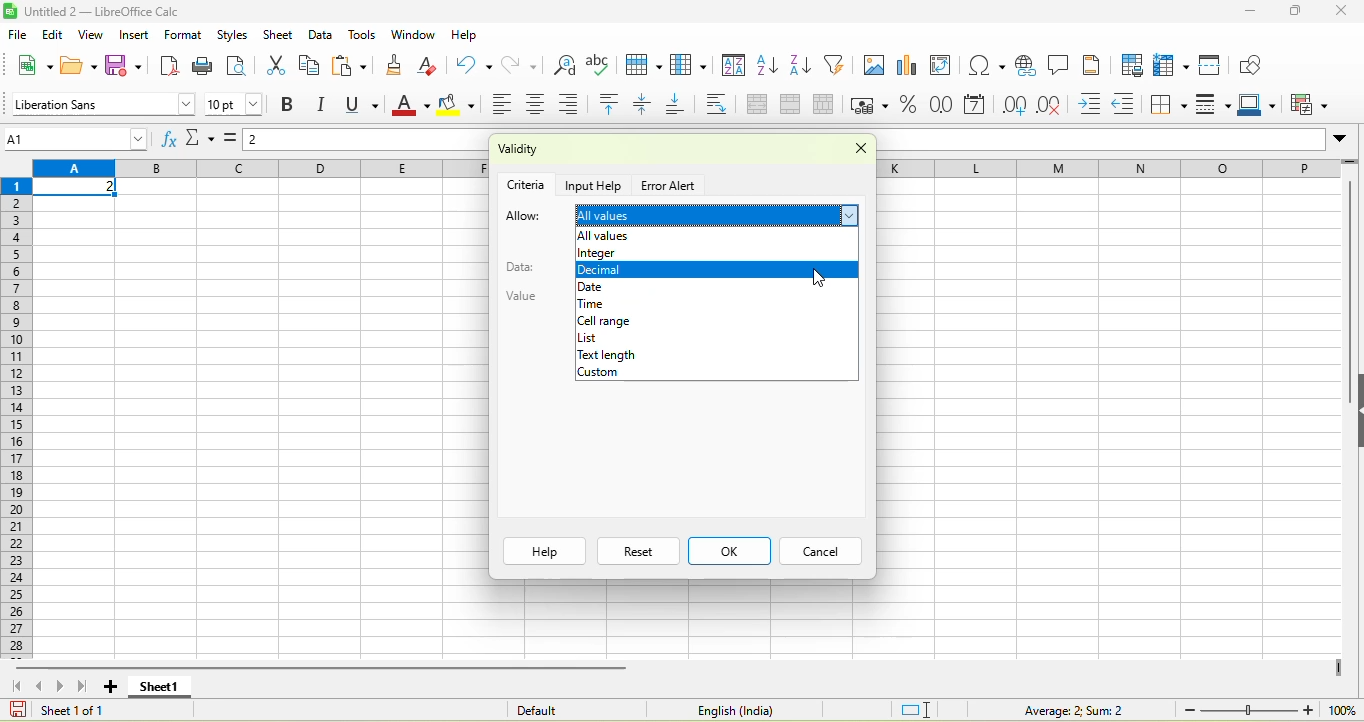 This screenshot has height=722, width=1364. Describe the element at coordinates (235, 104) in the screenshot. I see `font size` at that location.